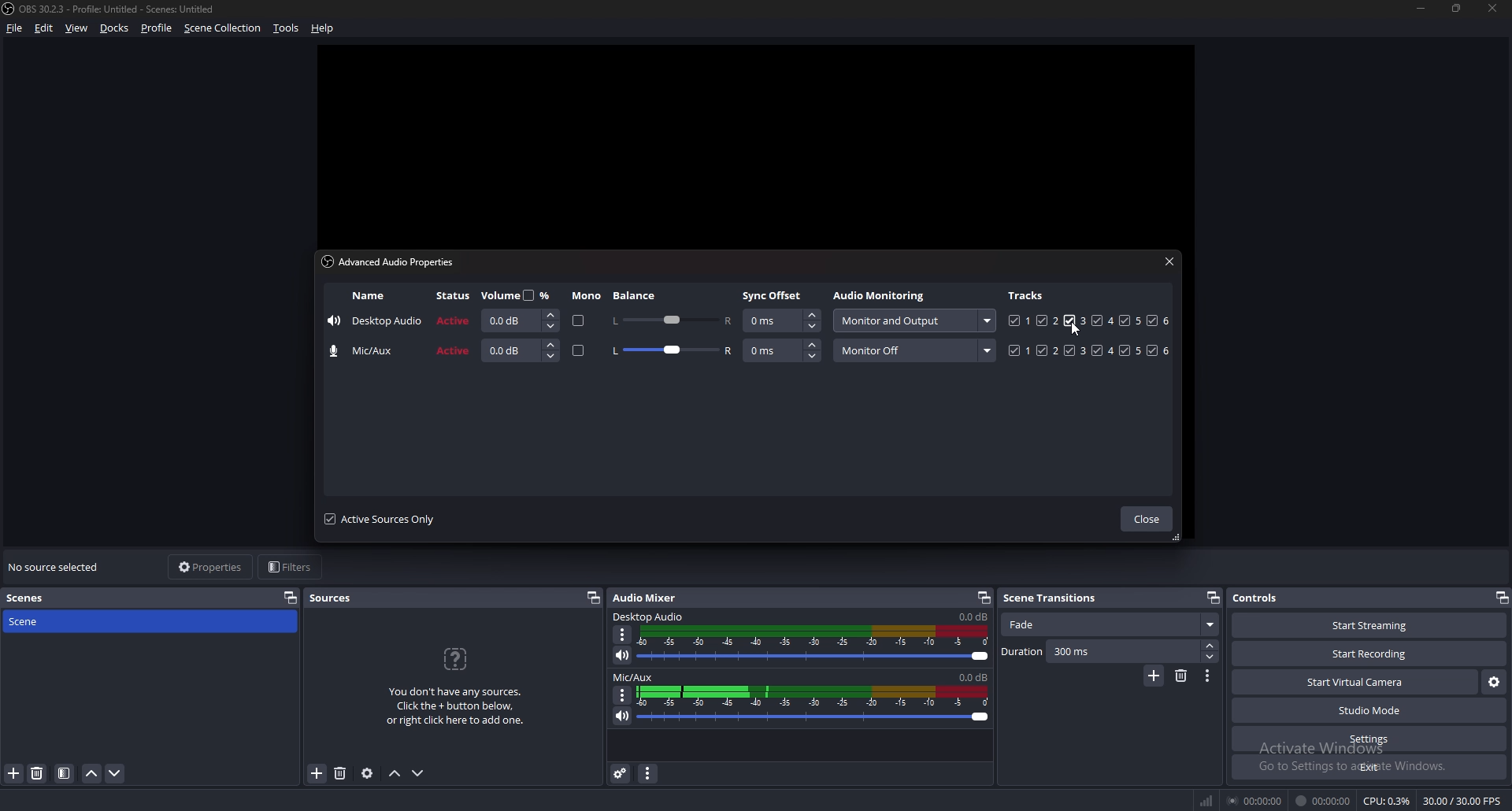 The height and width of the screenshot is (811, 1512). What do you see at coordinates (1091, 350) in the screenshot?
I see `tracks` at bounding box center [1091, 350].